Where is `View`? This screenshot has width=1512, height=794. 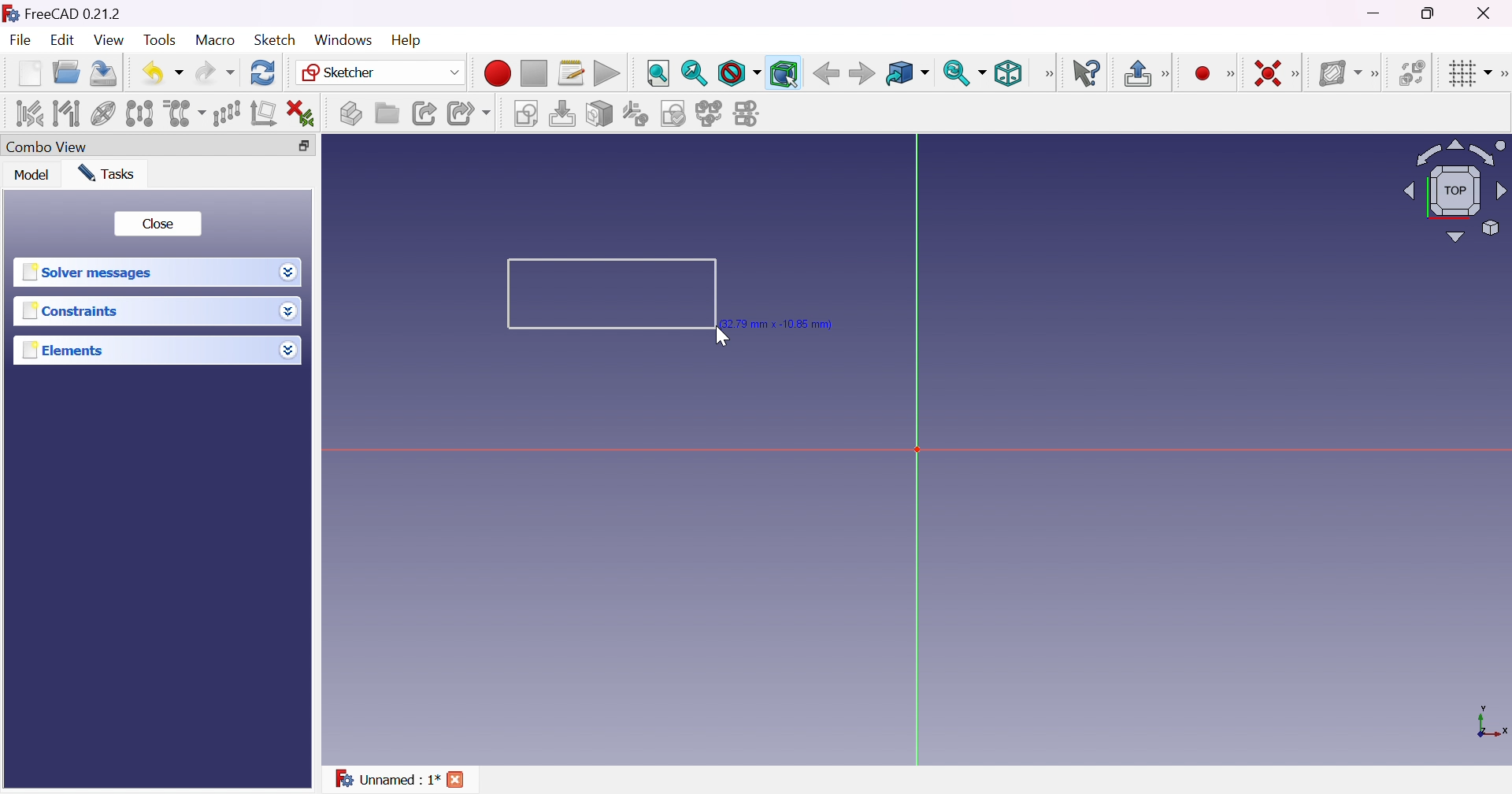
View is located at coordinates (109, 39).